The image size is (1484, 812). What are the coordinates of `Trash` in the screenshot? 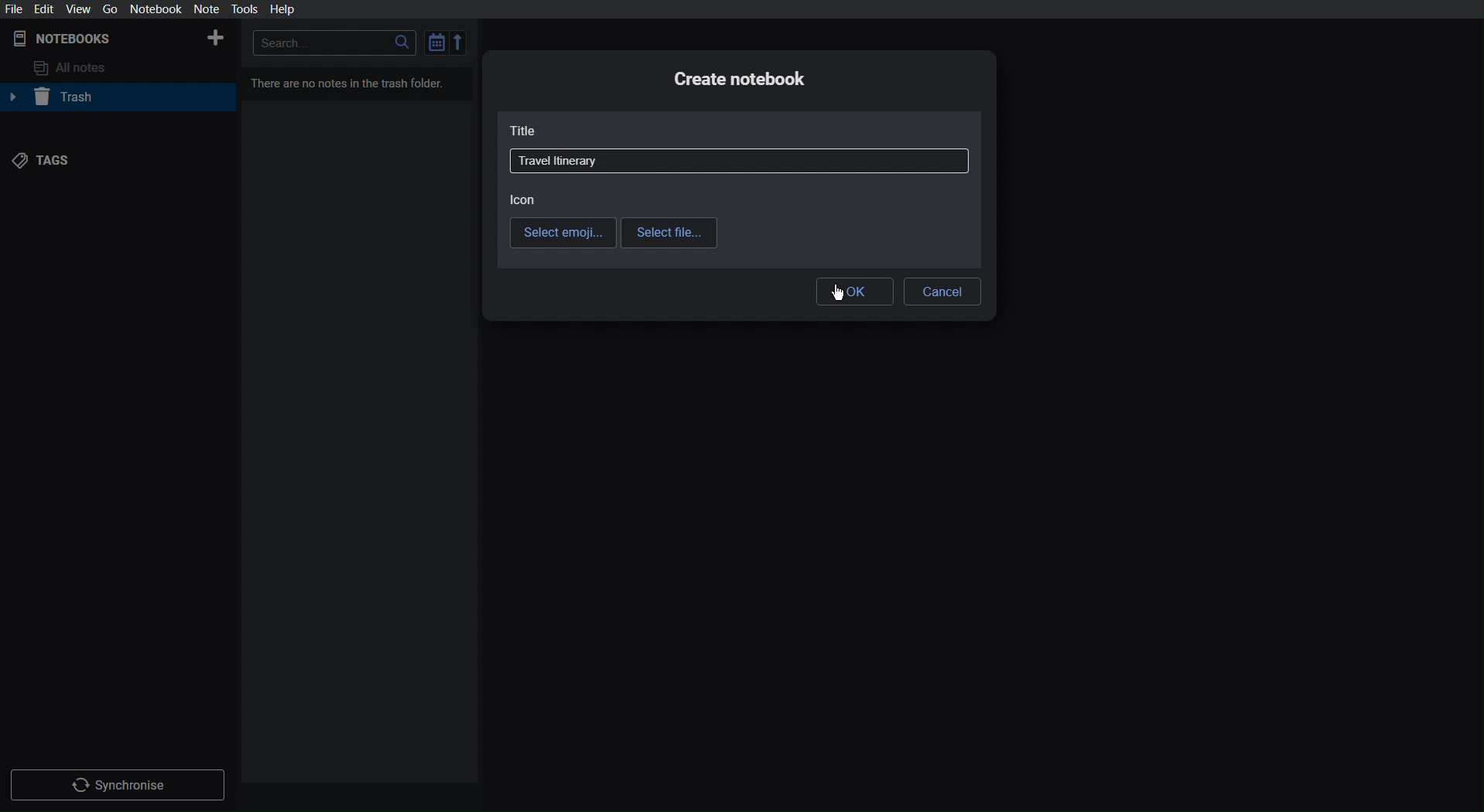 It's located at (57, 97).